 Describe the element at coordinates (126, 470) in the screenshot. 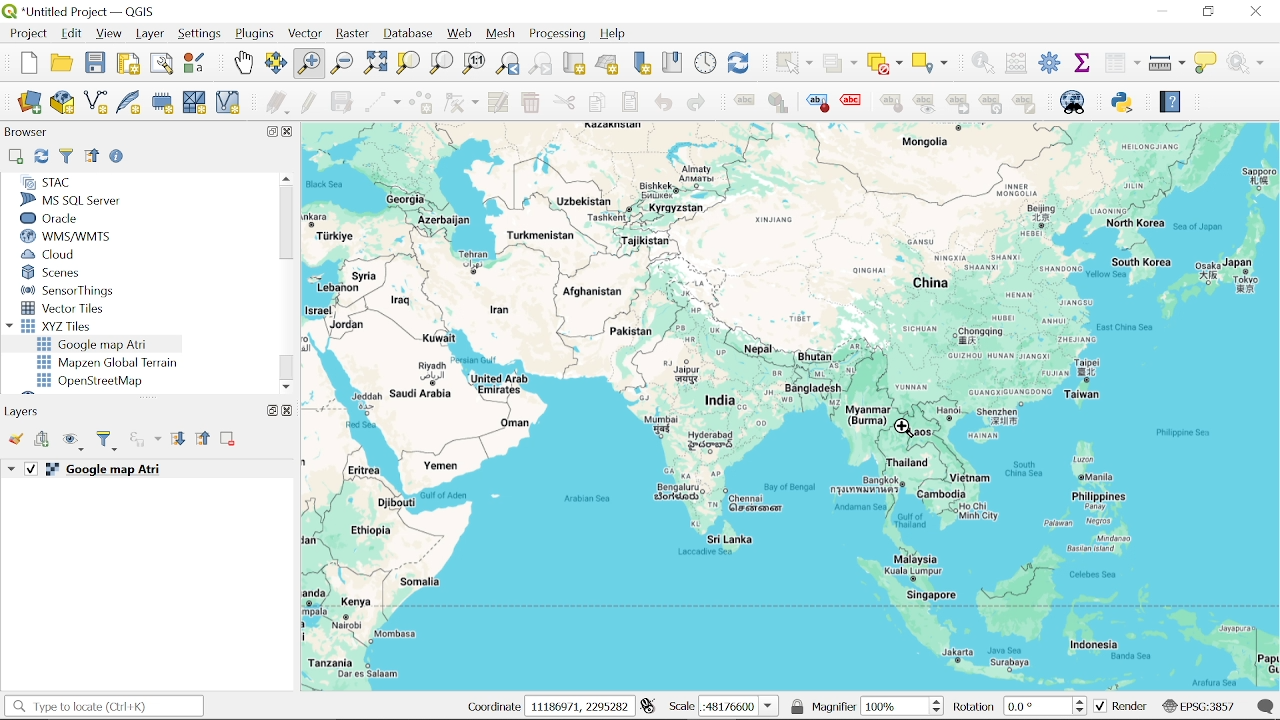

I see `Current layer` at that location.